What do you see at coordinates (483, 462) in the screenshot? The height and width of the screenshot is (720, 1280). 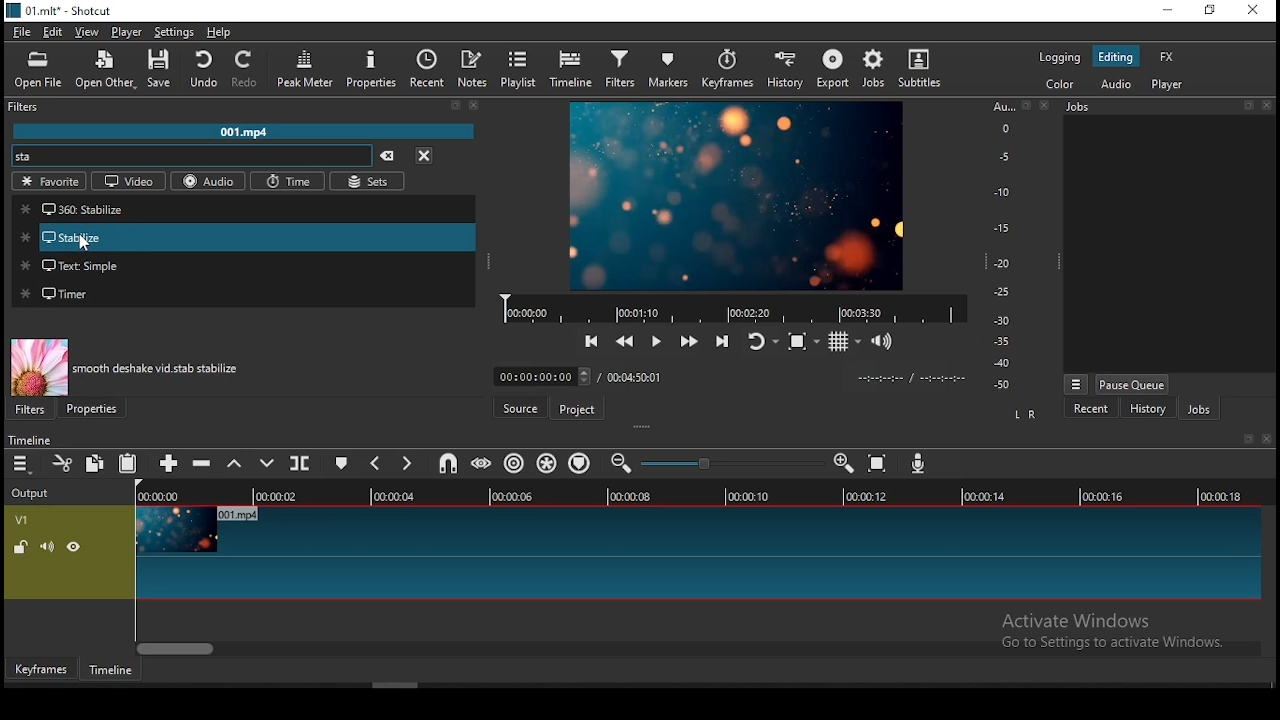 I see `scrub while dragging` at bounding box center [483, 462].